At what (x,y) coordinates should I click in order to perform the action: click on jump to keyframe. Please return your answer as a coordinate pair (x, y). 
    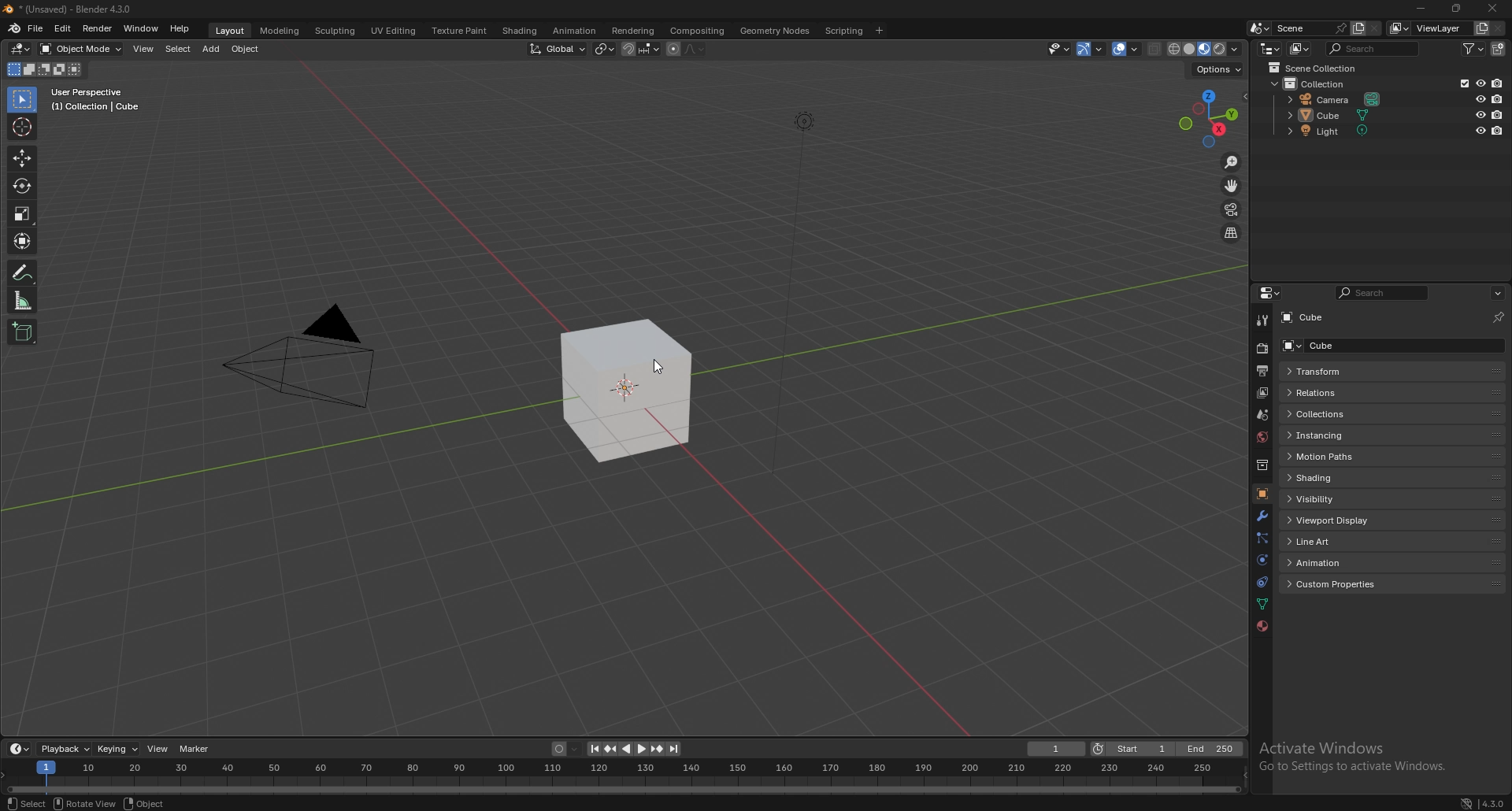
    Looking at the image, I should click on (656, 748).